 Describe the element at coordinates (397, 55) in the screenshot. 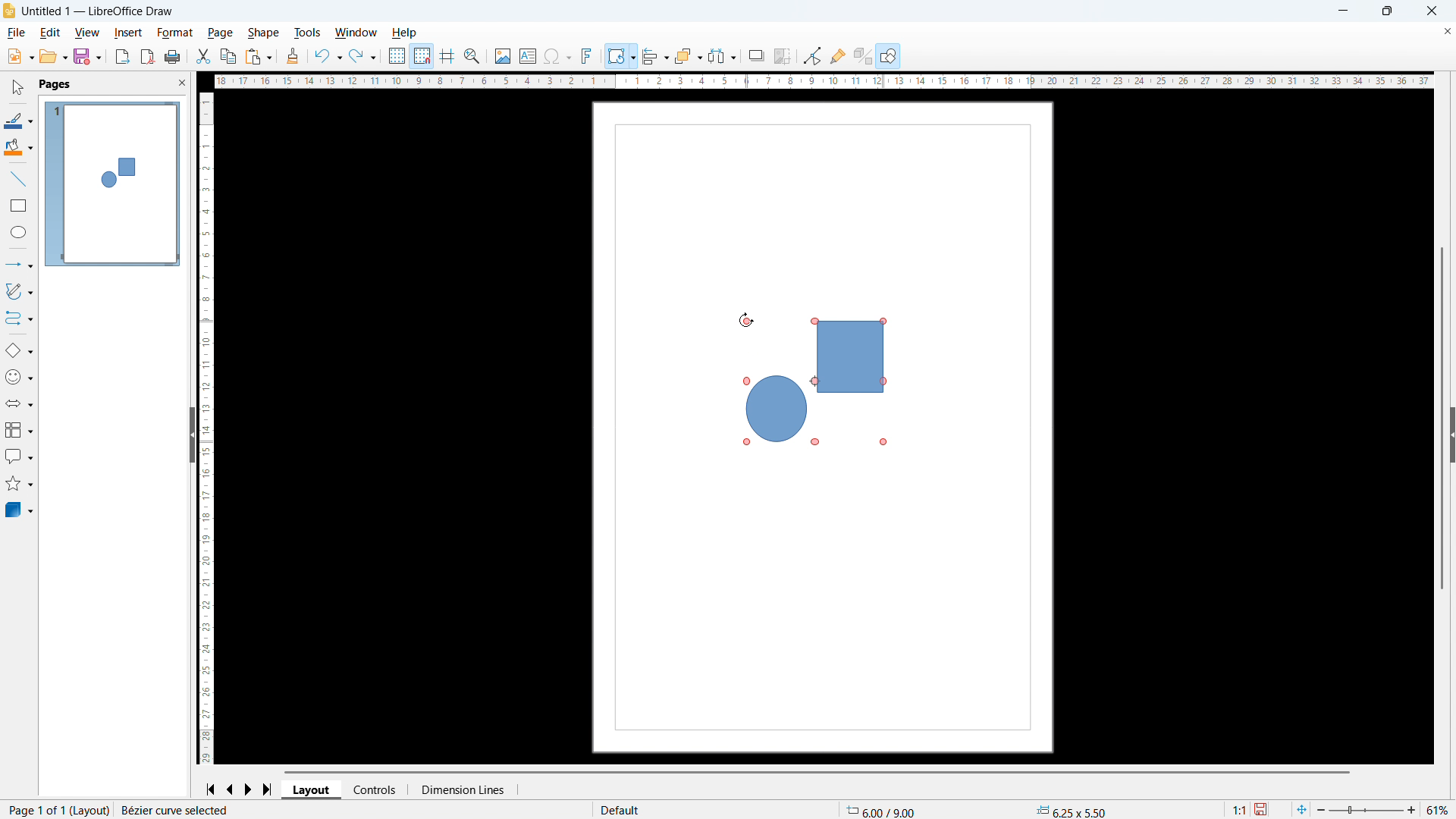

I see `Show grid` at that location.